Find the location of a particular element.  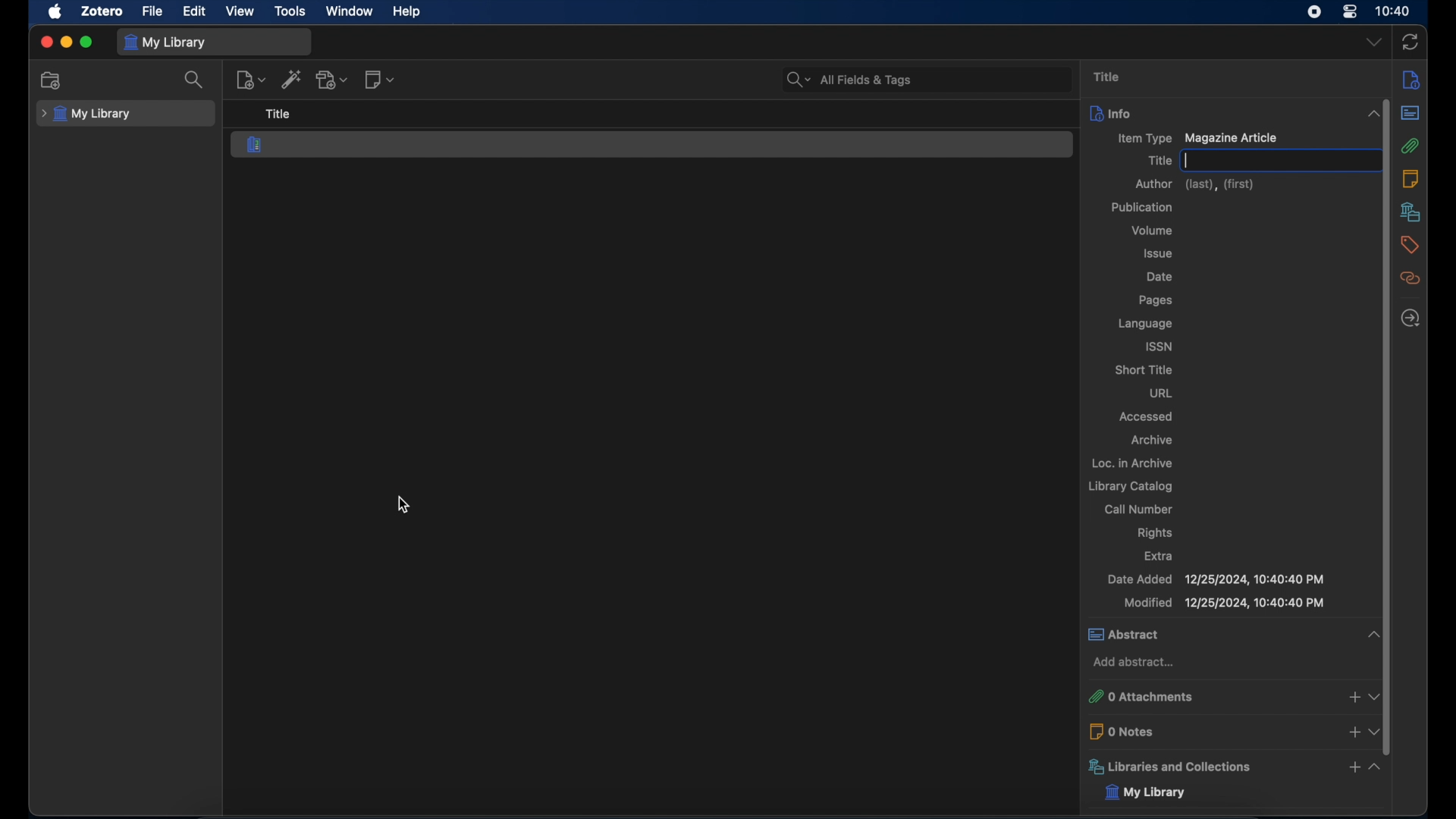

dropdown is located at coordinates (1373, 41).